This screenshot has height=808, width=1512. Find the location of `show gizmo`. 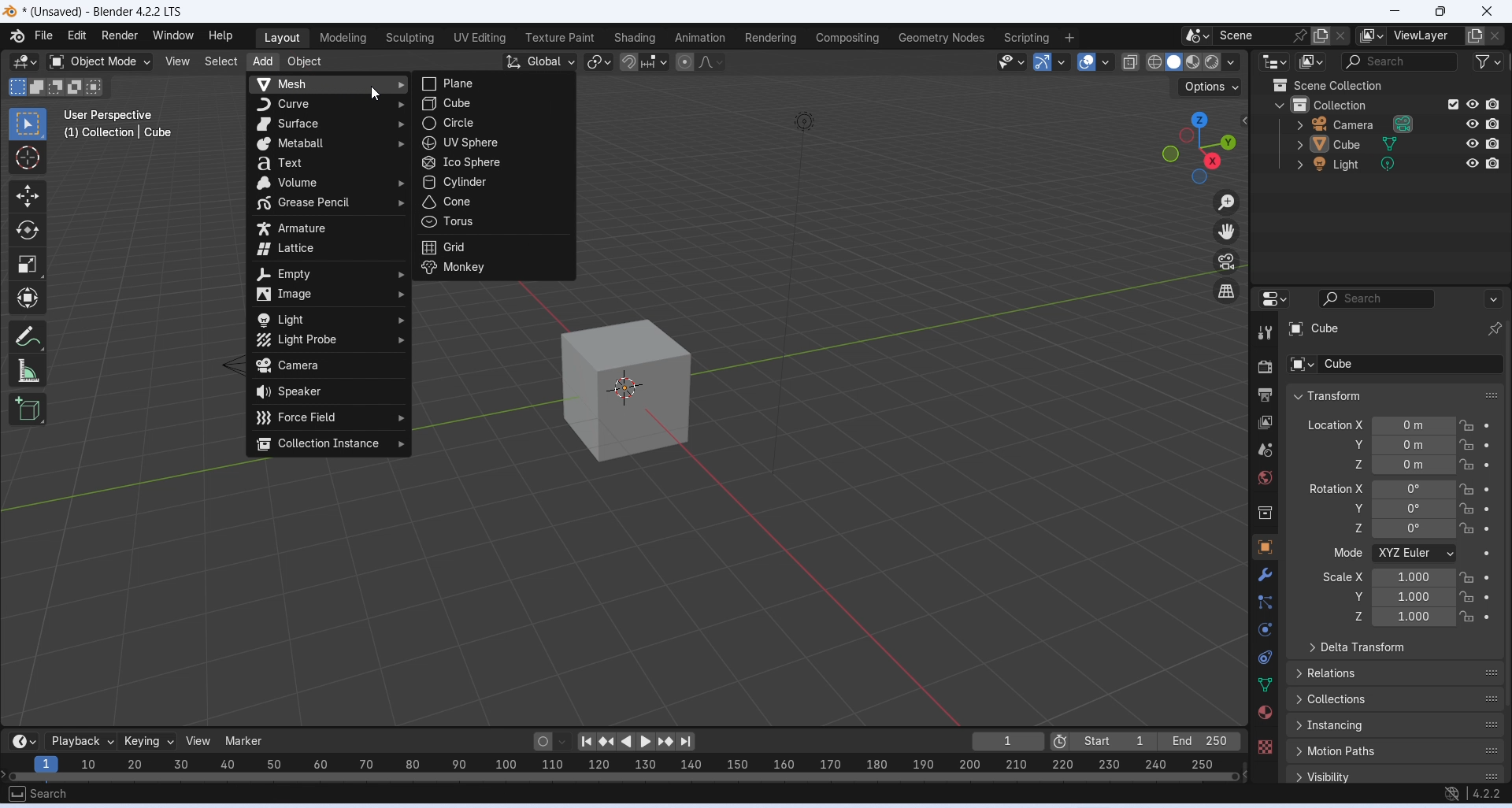

show gizmo is located at coordinates (1043, 61).